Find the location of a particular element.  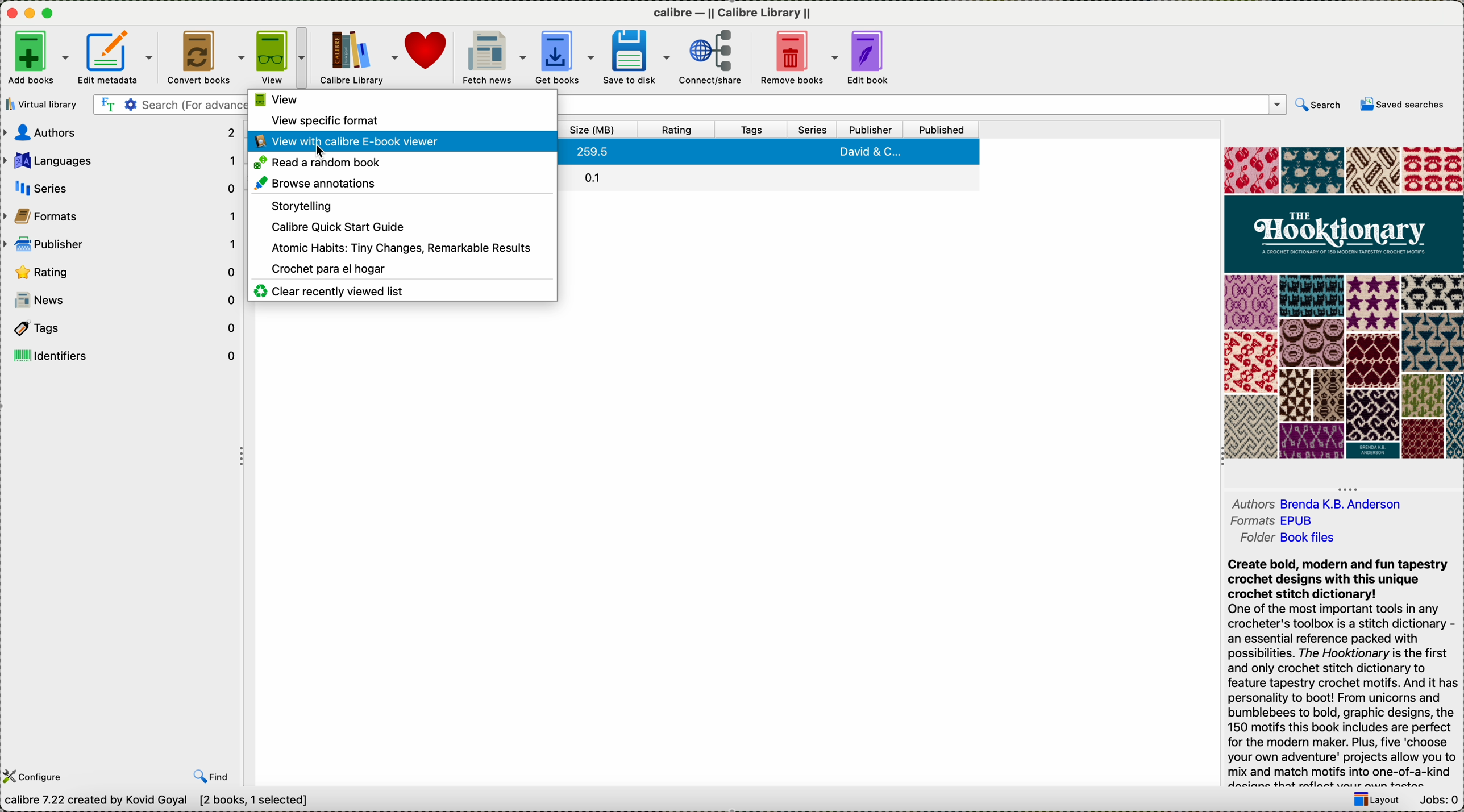

convert books is located at coordinates (203, 56).